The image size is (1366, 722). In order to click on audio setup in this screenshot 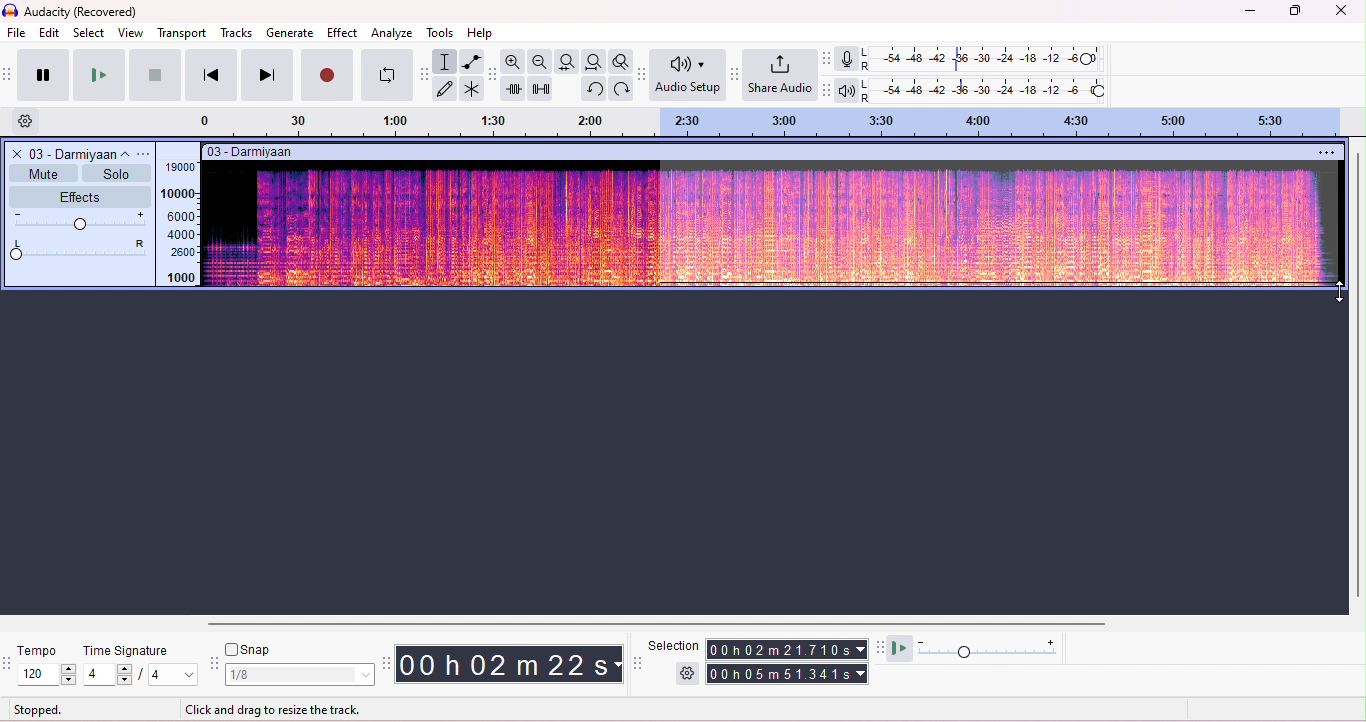, I will do `click(688, 75)`.